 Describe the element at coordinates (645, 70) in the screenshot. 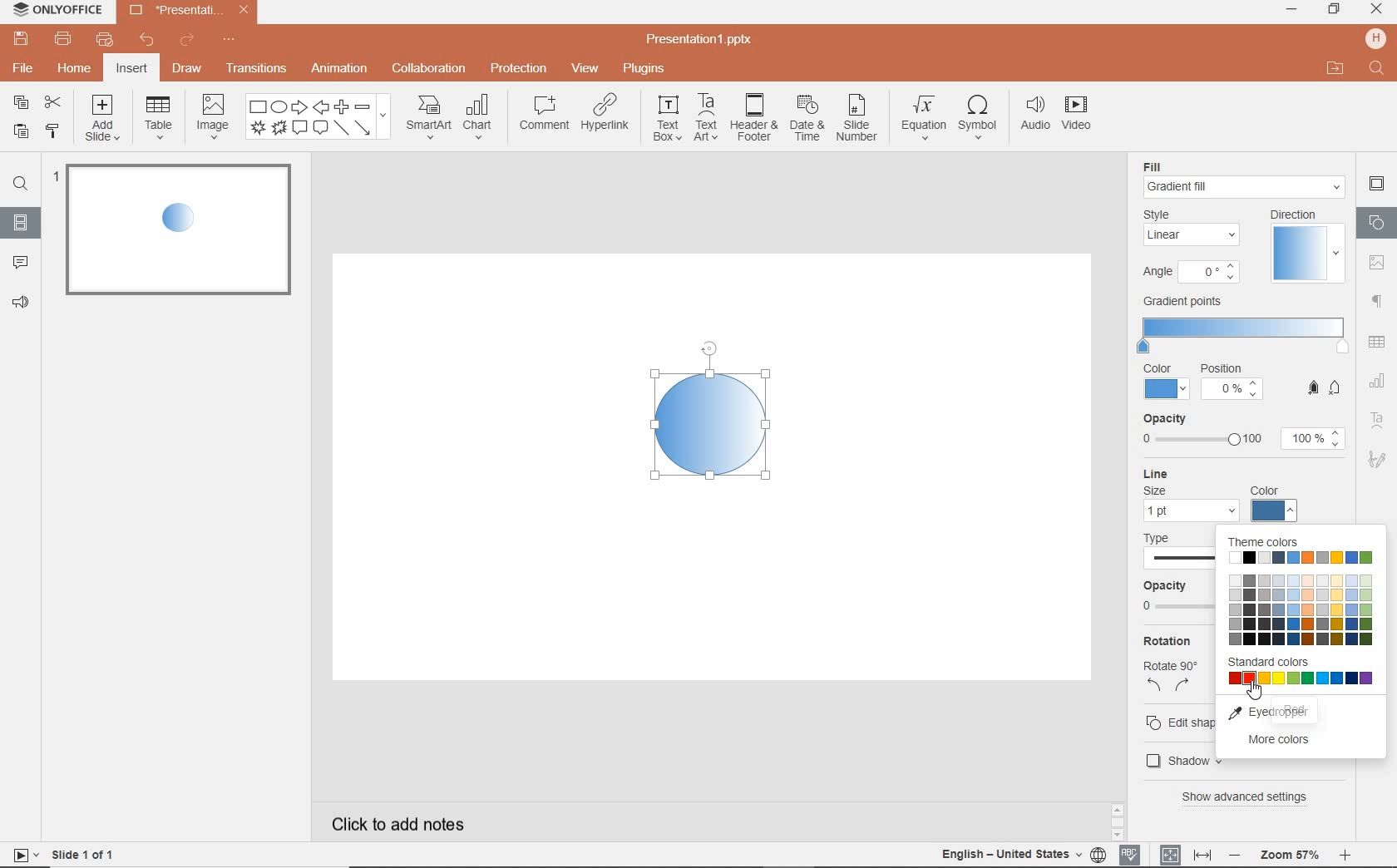

I see `plugins` at that location.